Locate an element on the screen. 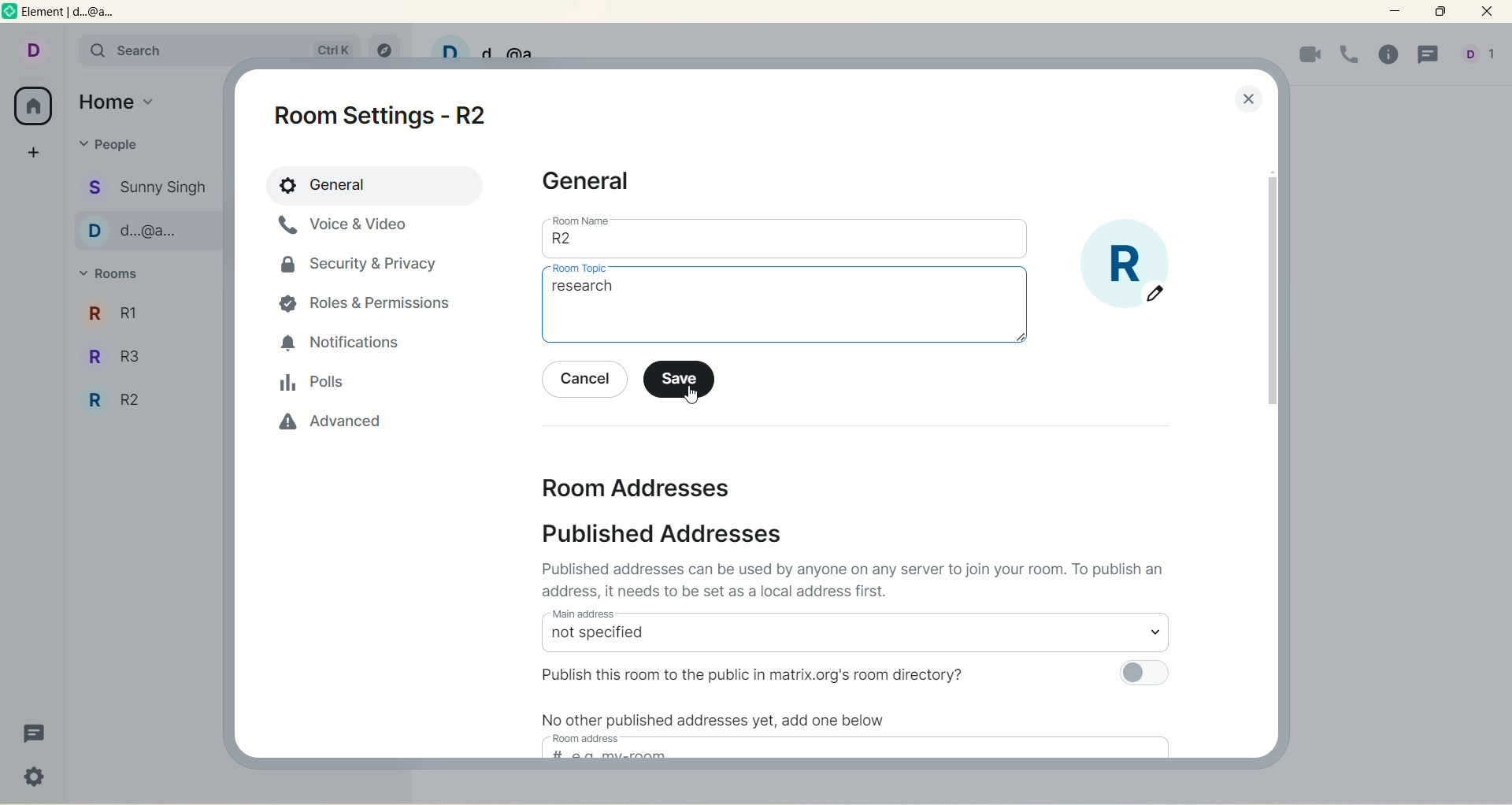 The width and height of the screenshot is (1512, 805). room topic is located at coordinates (785, 310).